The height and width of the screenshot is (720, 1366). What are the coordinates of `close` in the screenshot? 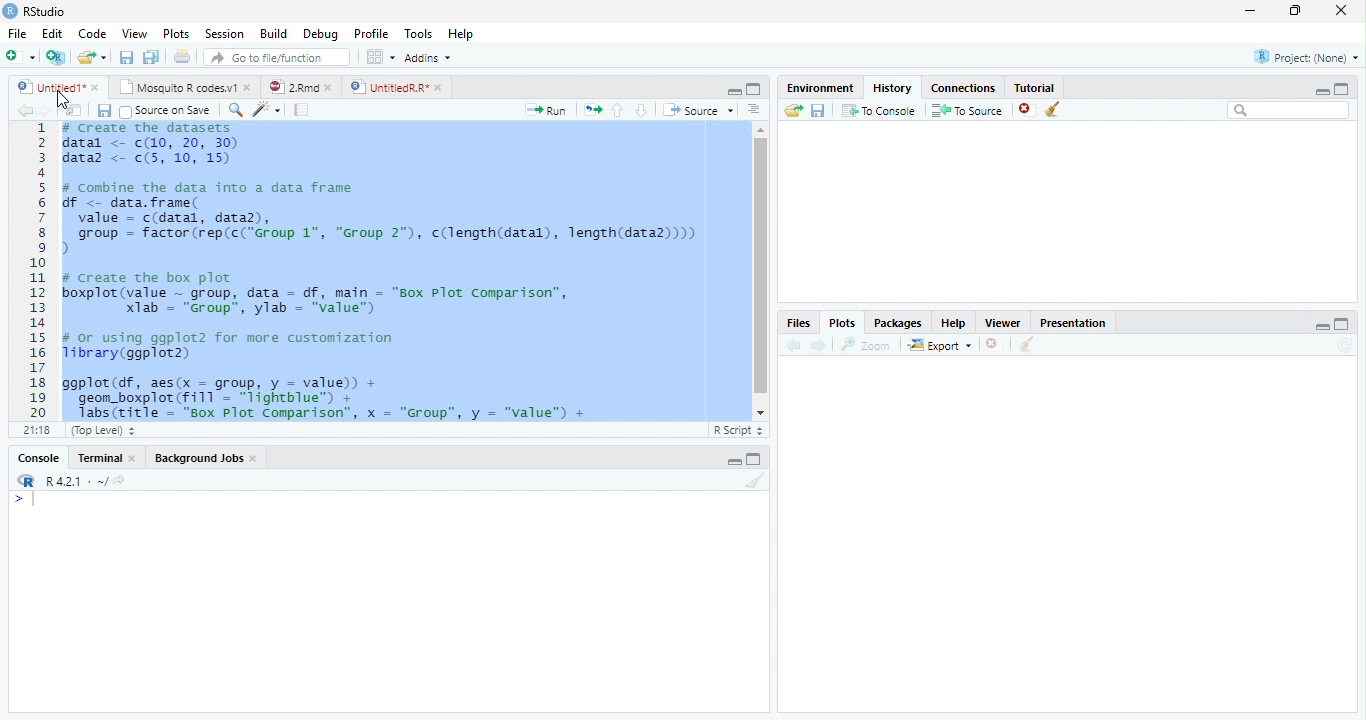 It's located at (132, 457).